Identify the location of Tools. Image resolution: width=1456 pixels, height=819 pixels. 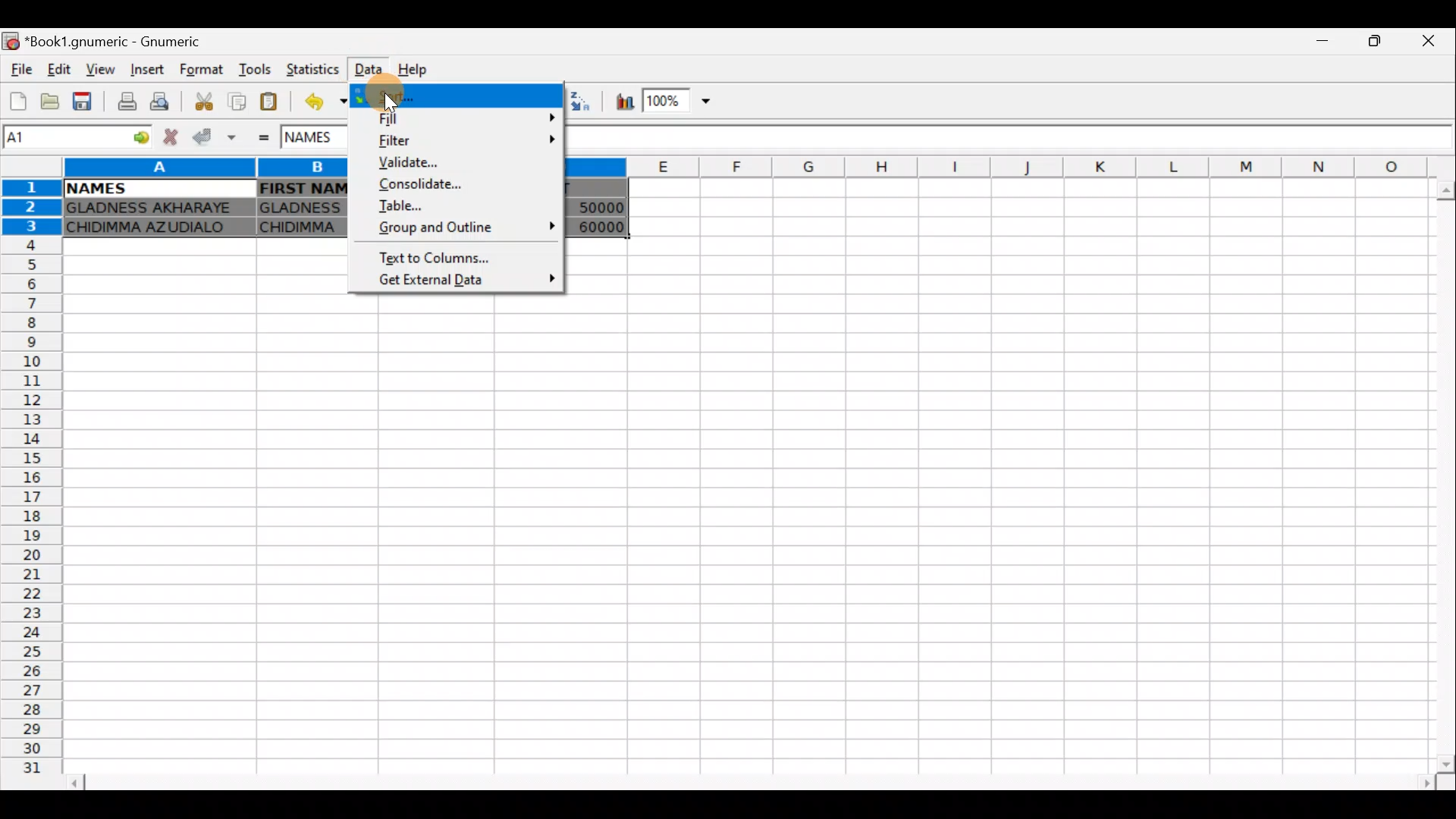
(258, 71).